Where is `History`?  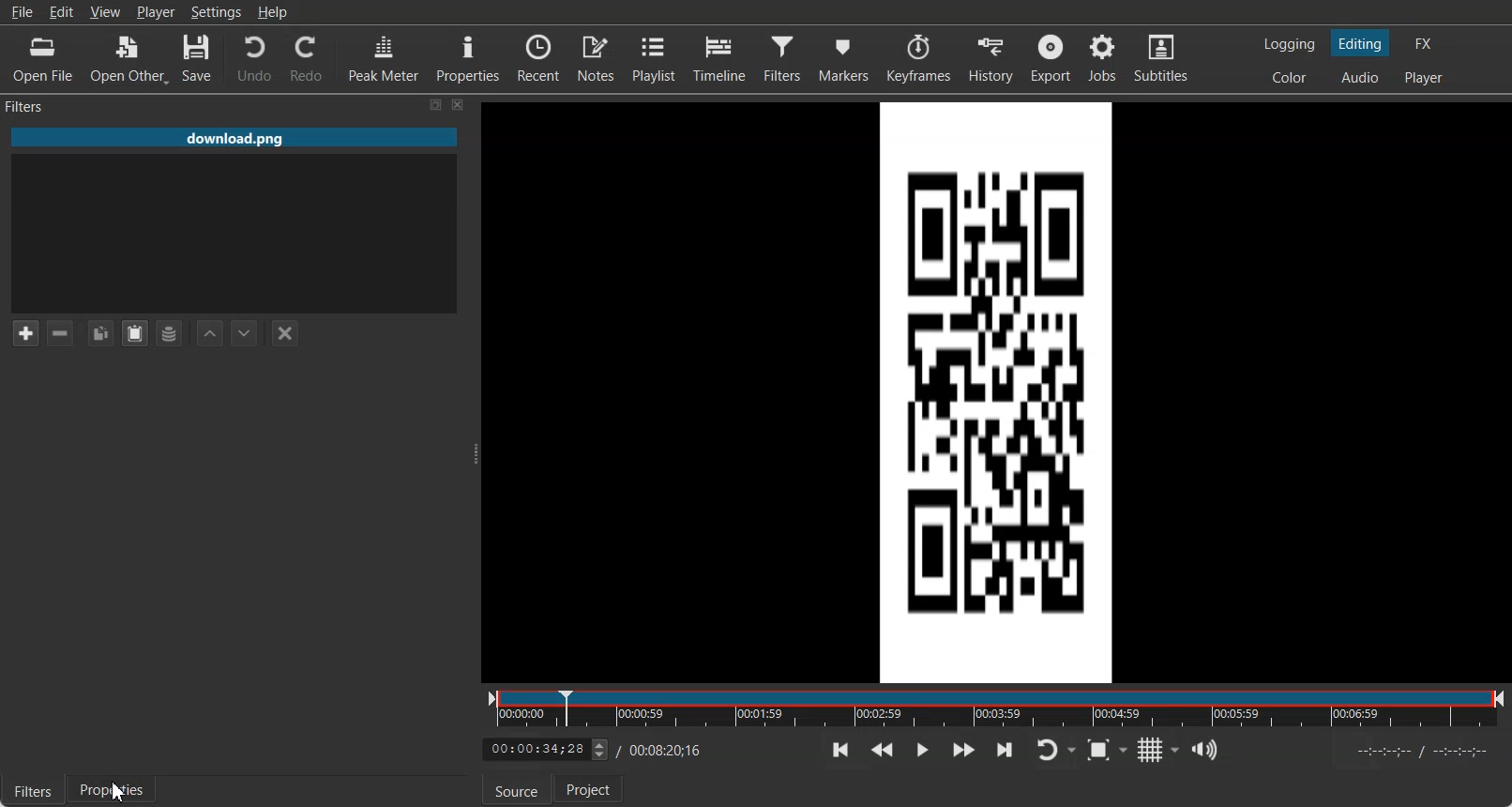
History is located at coordinates (990, 58).